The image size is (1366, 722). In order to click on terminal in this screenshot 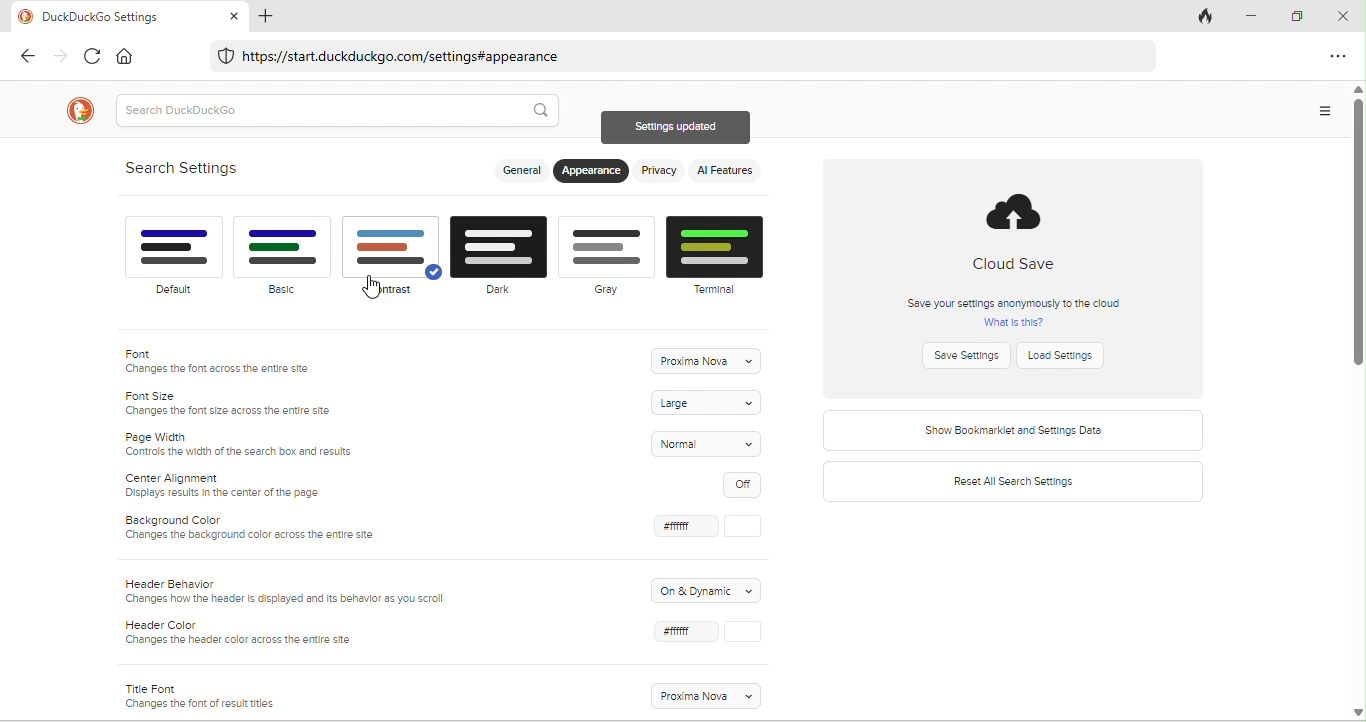, I will do `click(720, 253)`.